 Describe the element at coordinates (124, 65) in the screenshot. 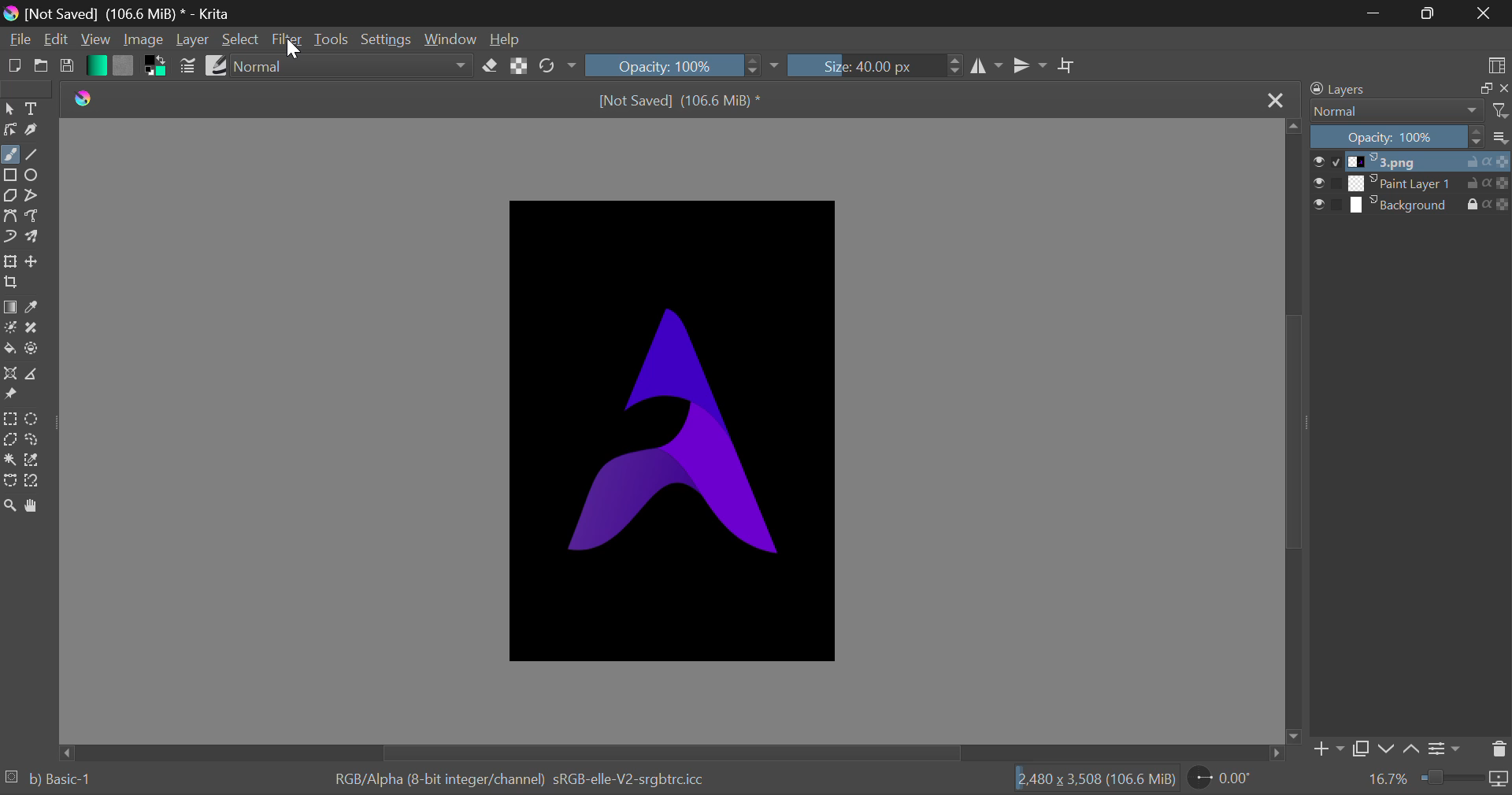

I see `Pattern` at that location.